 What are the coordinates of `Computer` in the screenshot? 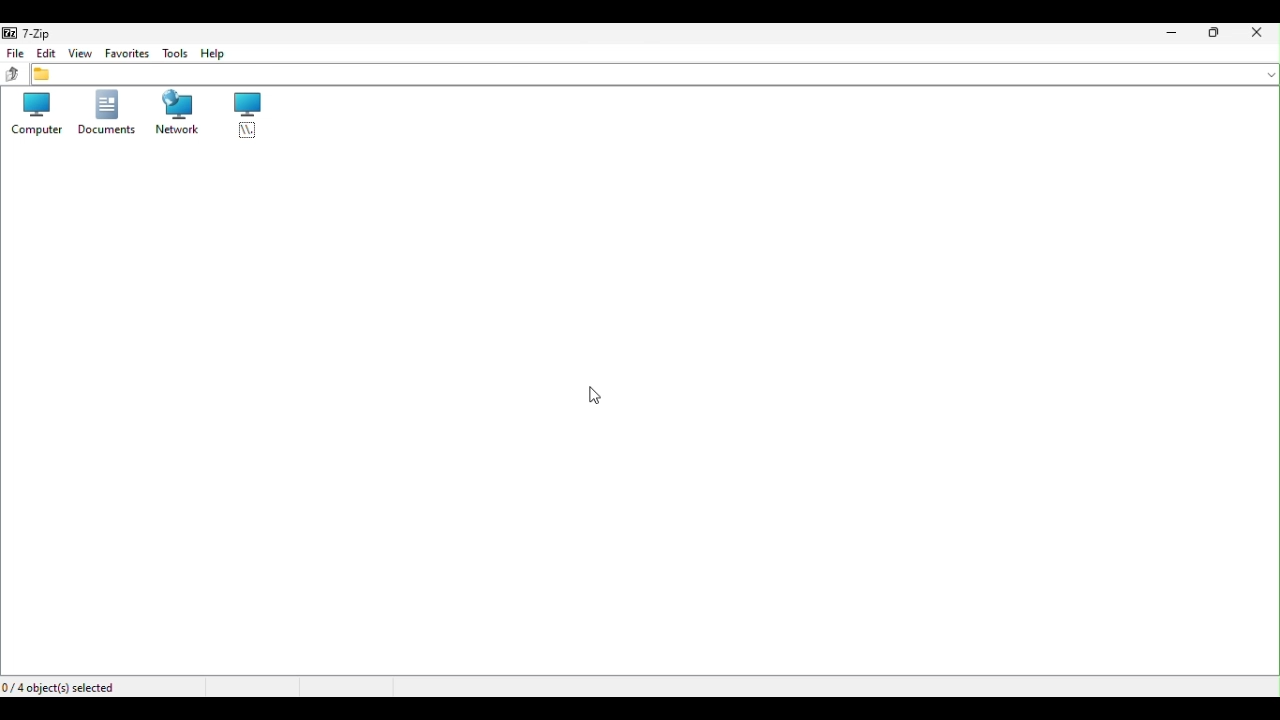 It's located at (32, 113).